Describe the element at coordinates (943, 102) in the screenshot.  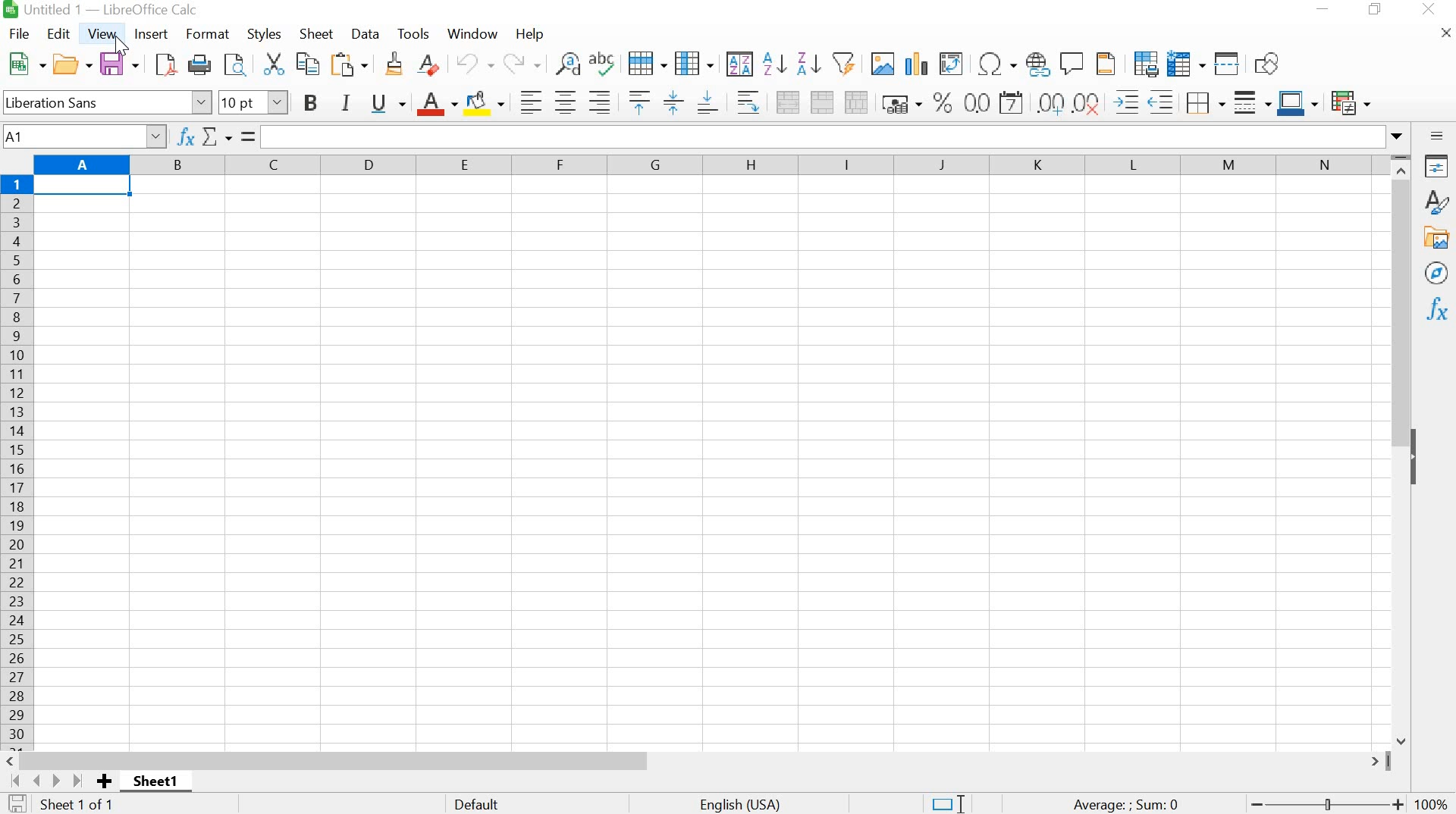
I see `FORMAT AS PERCENT` at that location.